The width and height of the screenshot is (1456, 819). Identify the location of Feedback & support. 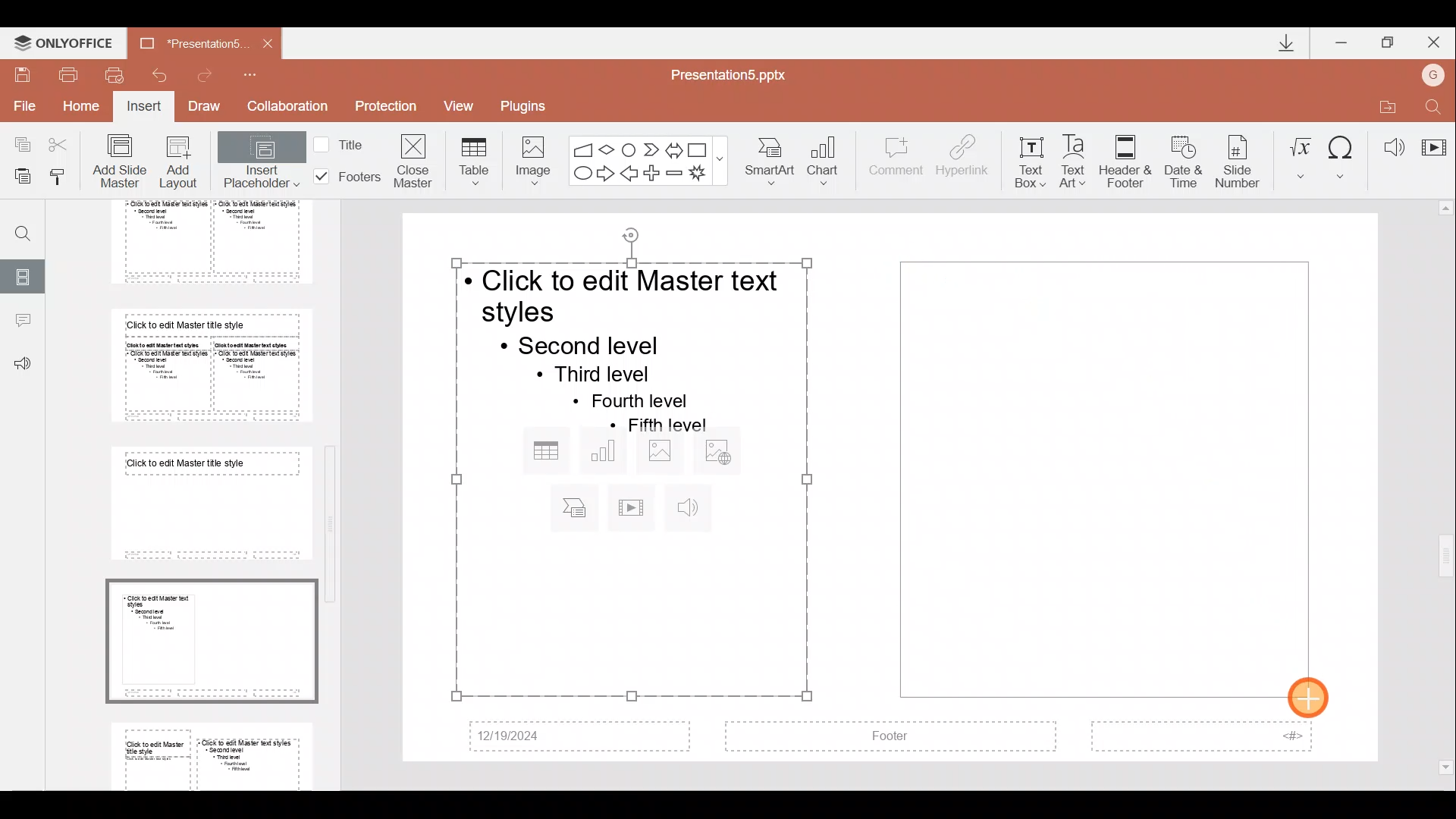
(23, 365).